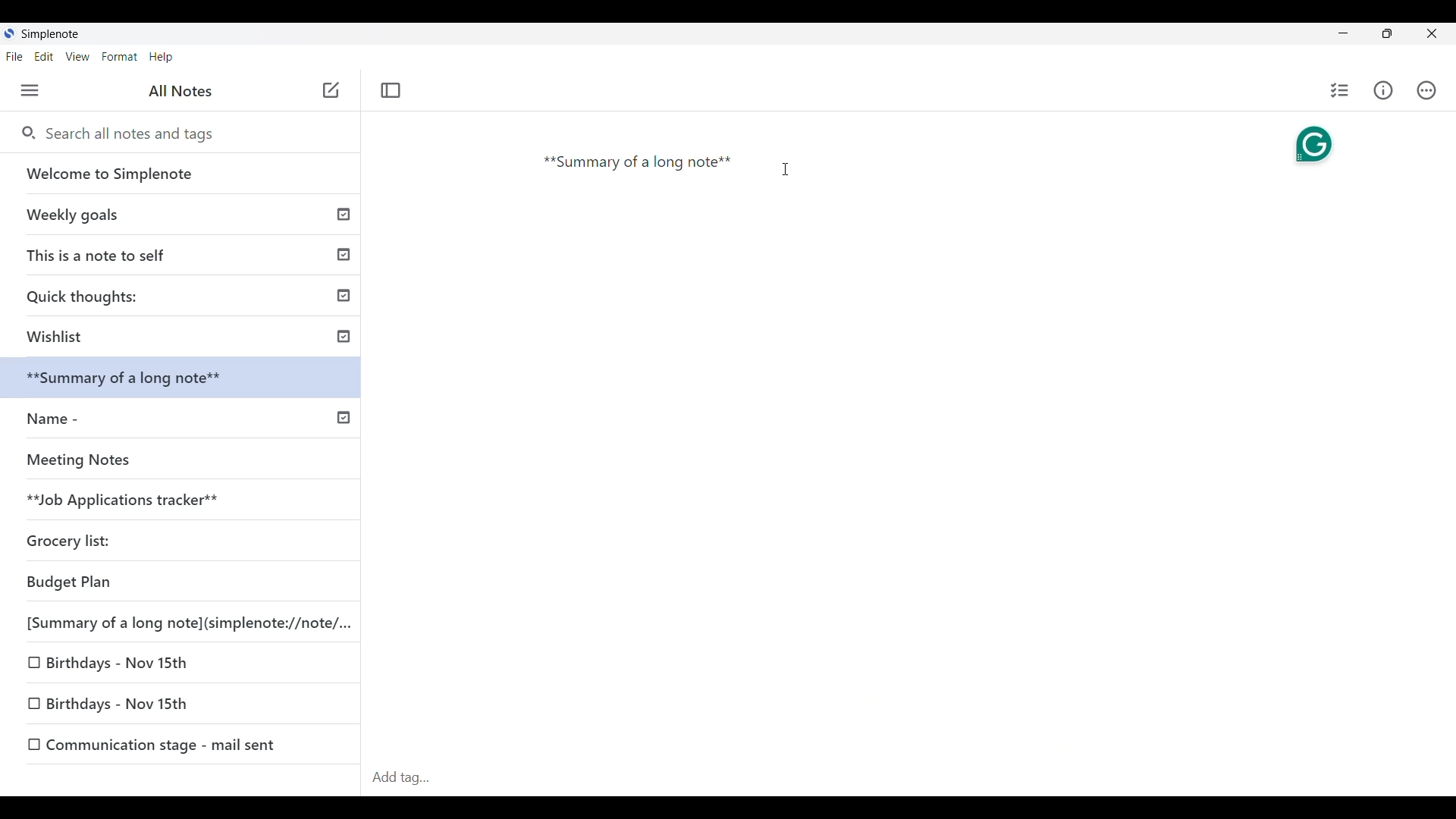  I want to click on Search all notes and tags, so click(136, 134).